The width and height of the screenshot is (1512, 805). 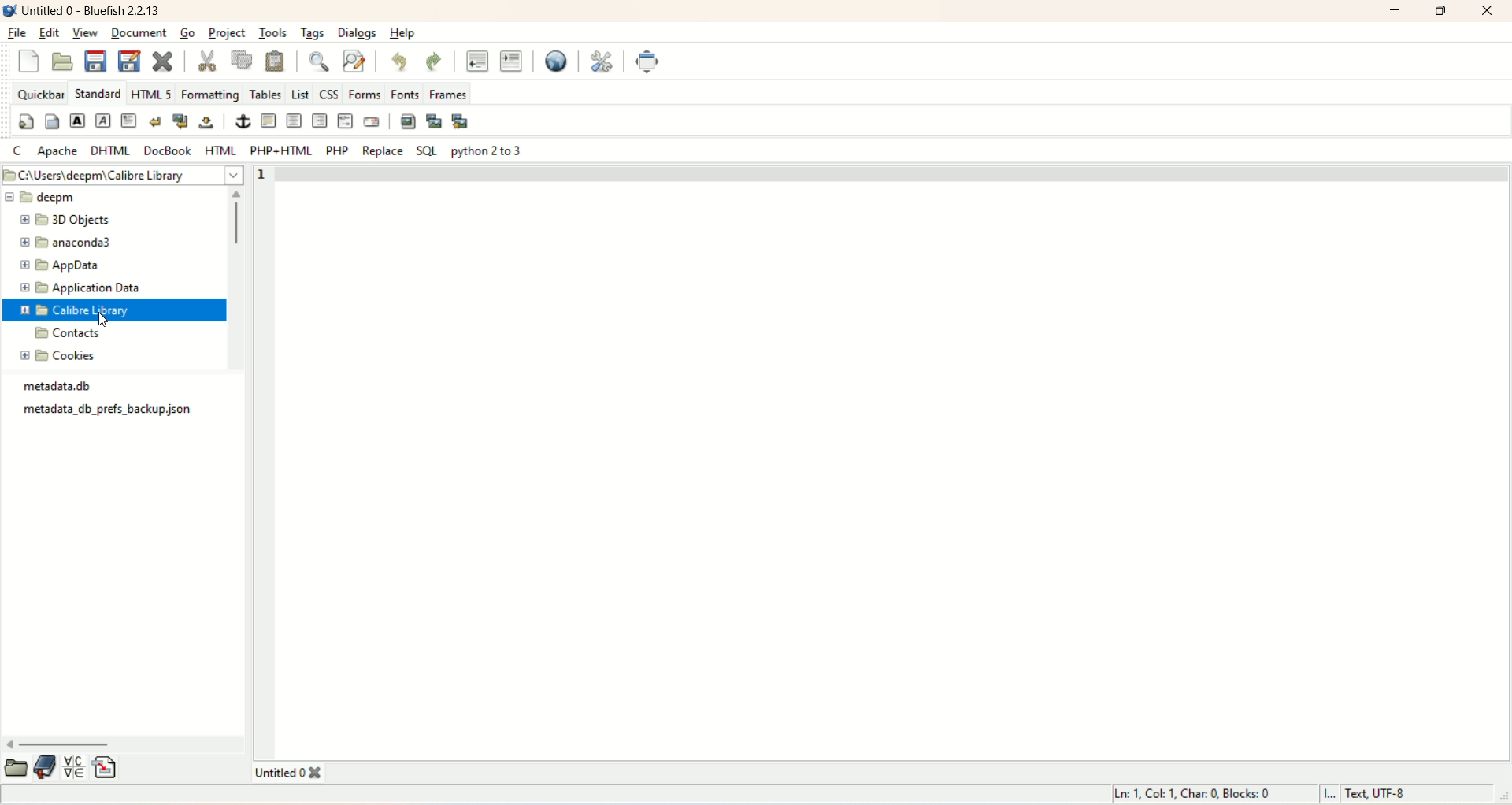 What do you see at coordinates (180, 120) in the screenshot?
I see `break and clear` at bounding box center [180, 120].